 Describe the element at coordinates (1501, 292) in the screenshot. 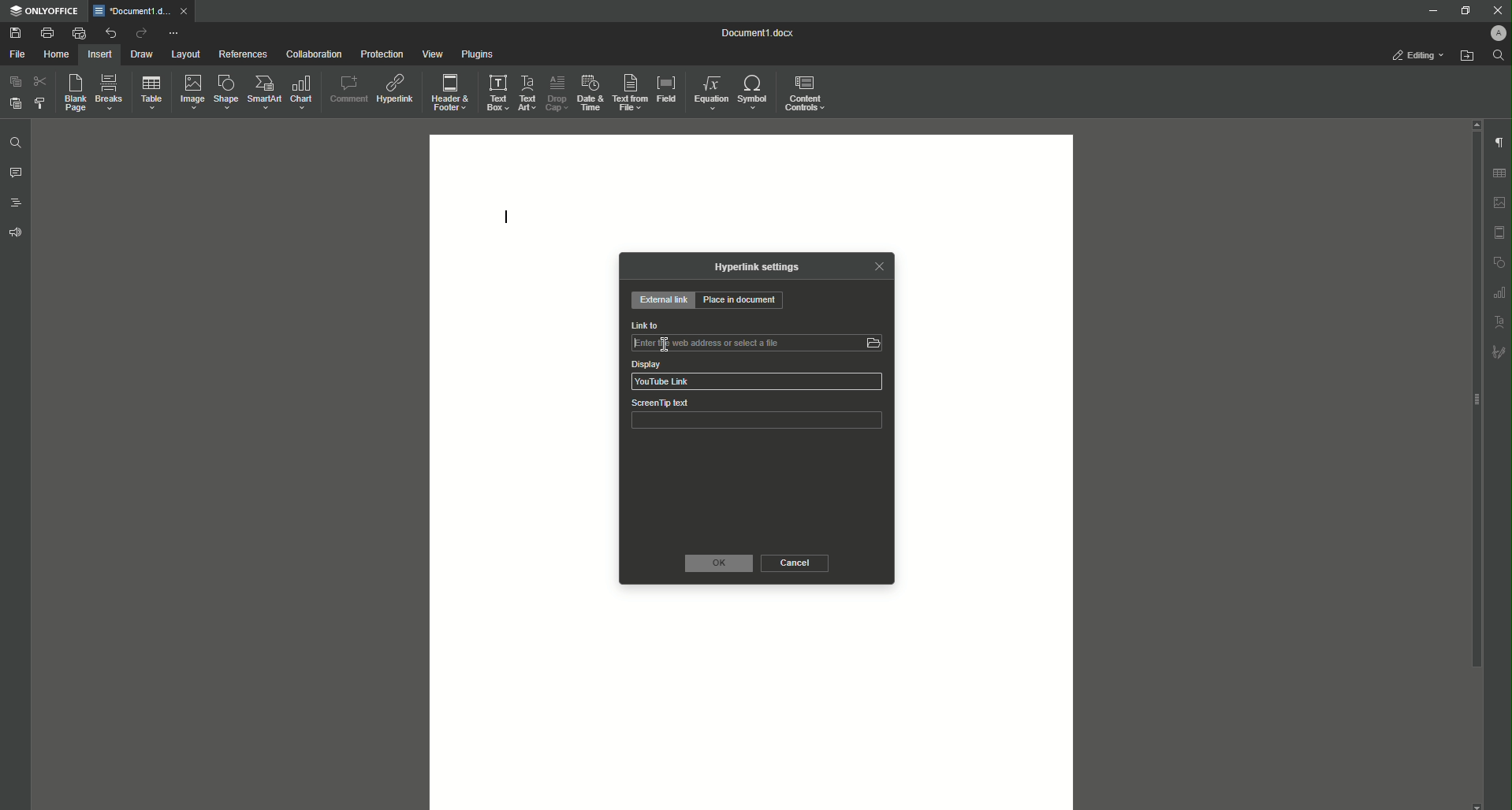

I see `graph settings` at that location.